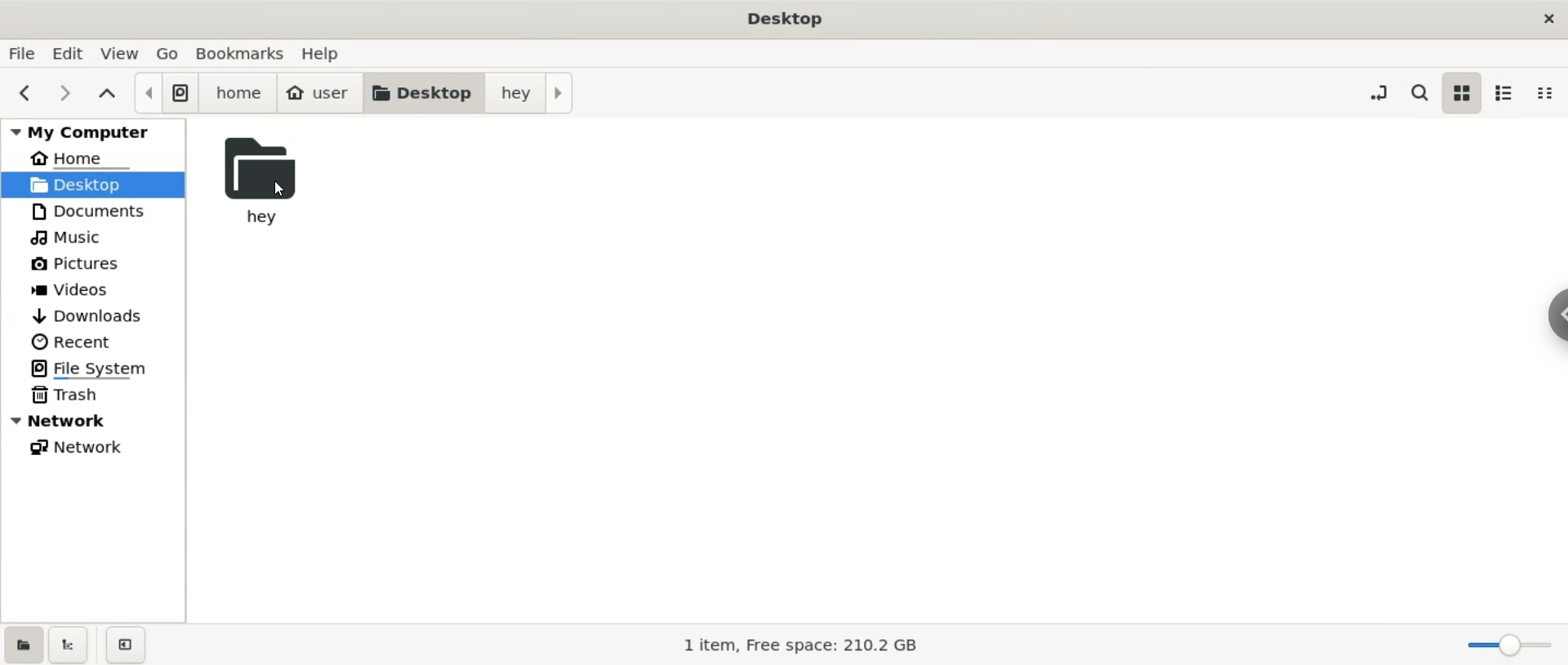 Image resolution: width=1568 pixels, height=665 pixels. What do you see at coordinates (73, 53) in the screenshot?
I see `edit` at bounding box center [73, 53].